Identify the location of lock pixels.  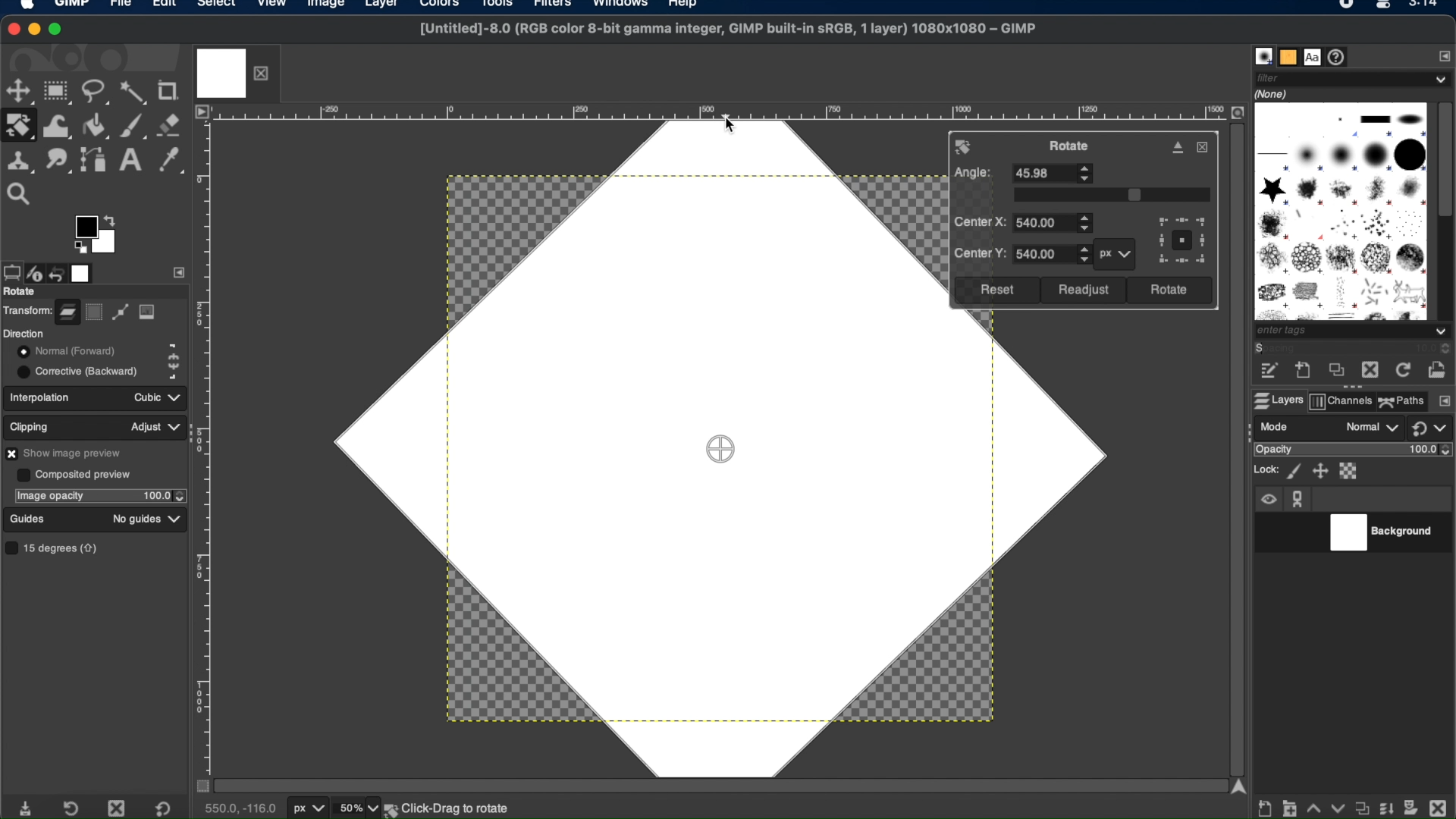
(1293, 471).